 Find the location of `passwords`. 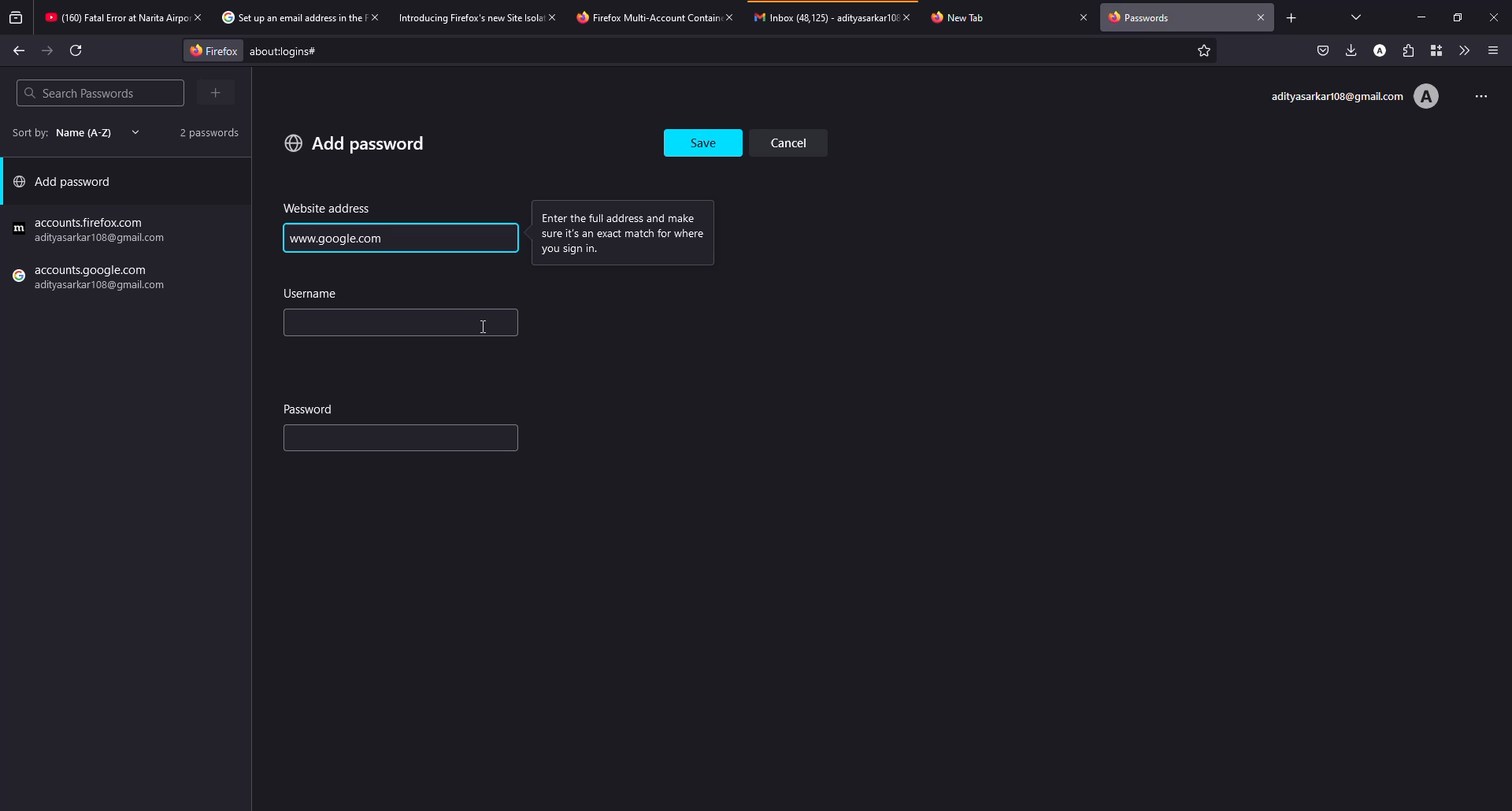

passwords is located at coordinates (1143, 19).